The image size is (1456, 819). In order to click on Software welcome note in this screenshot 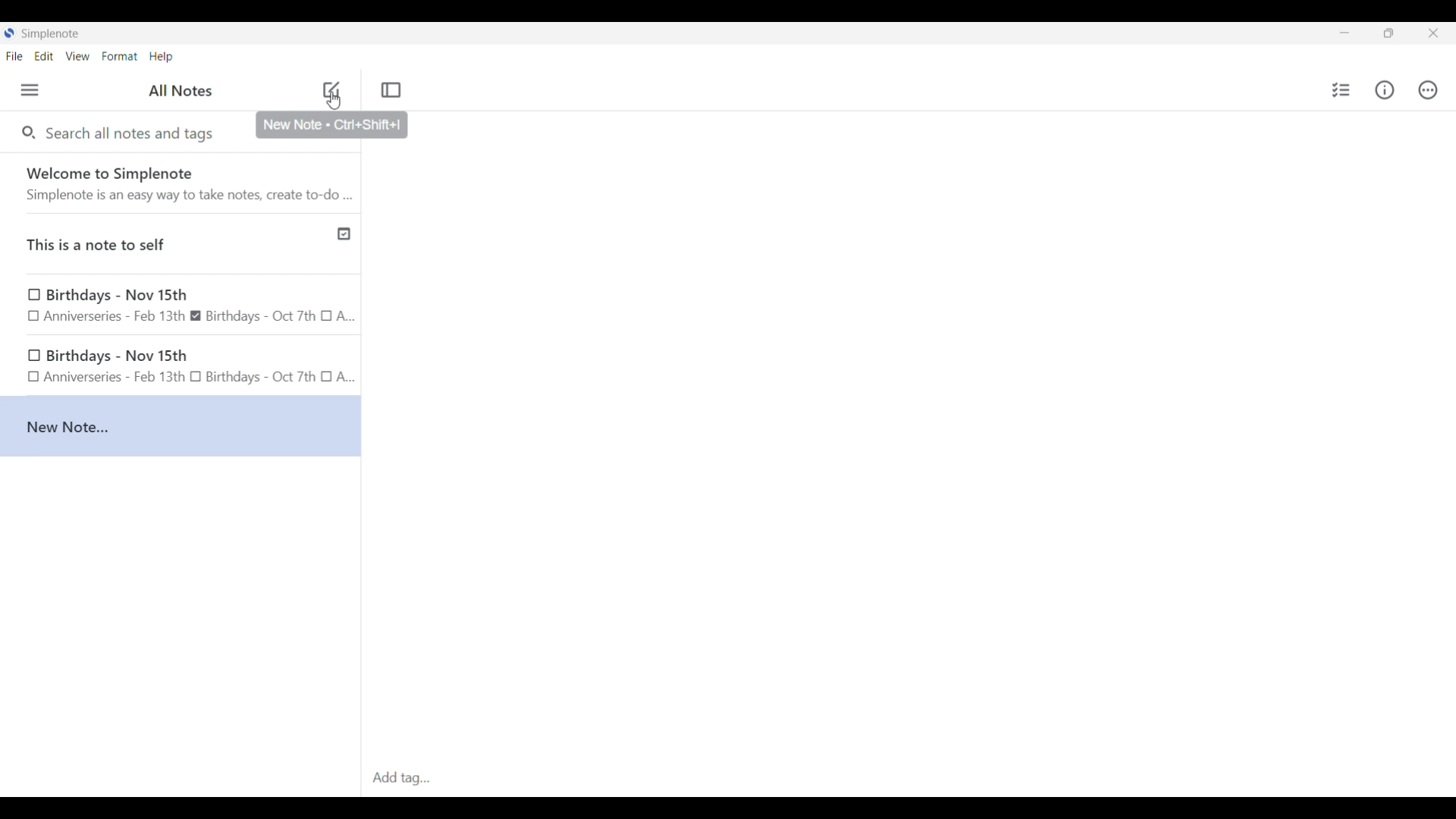, I will do `click(184, 183)`.